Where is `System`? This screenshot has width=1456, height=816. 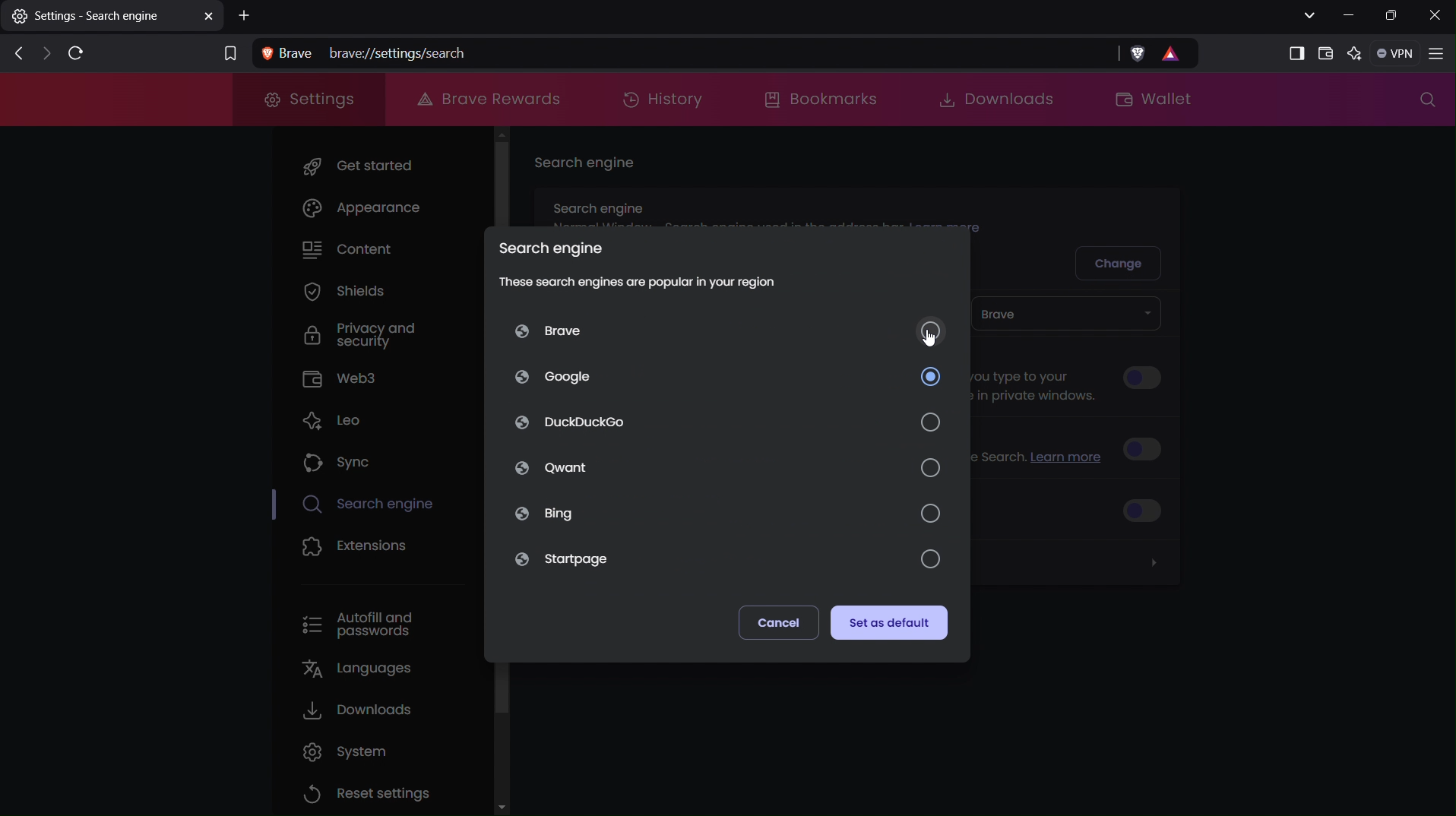
System is located at coordinates (356, 751).